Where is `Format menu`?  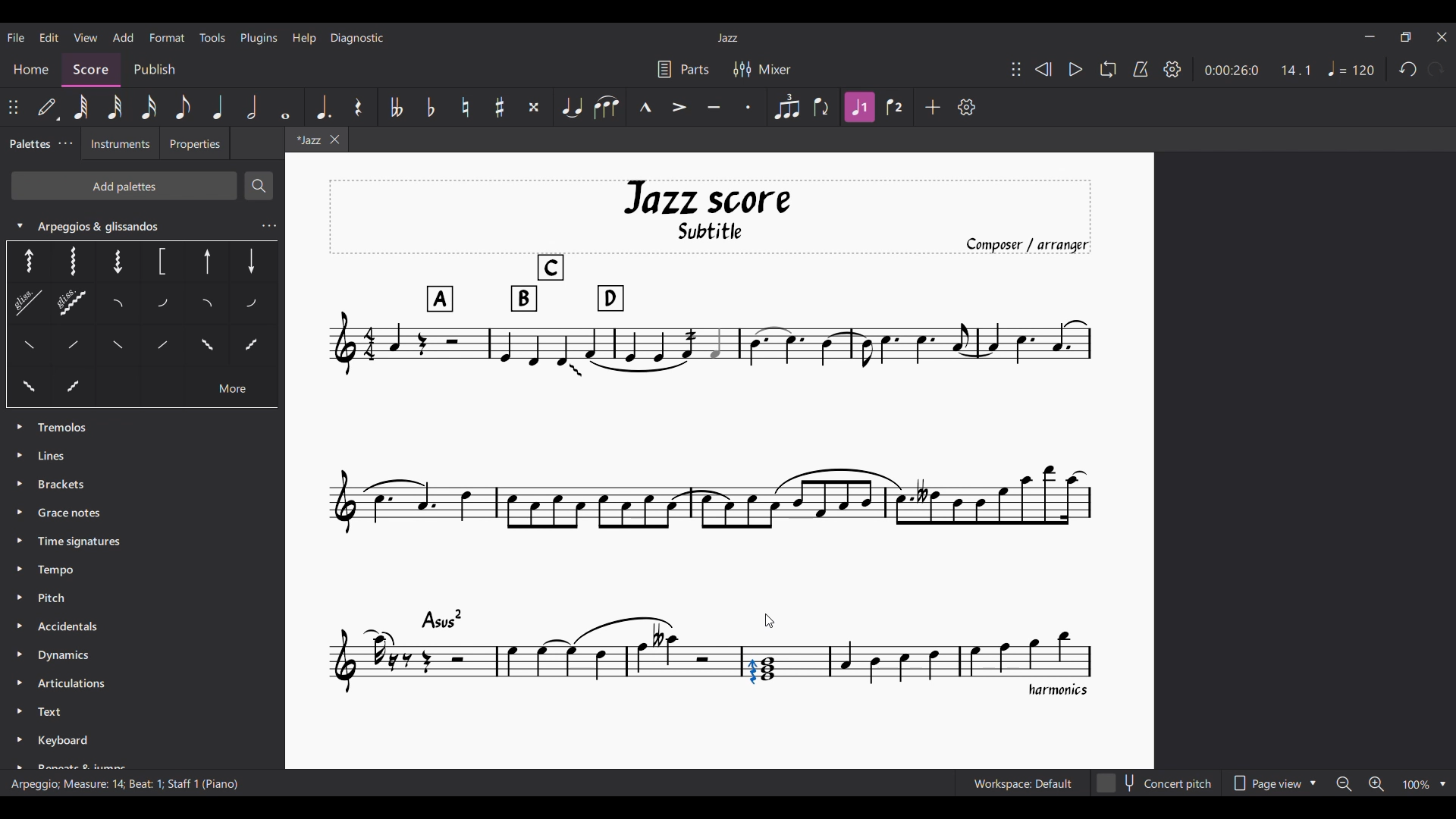 Format menu is located at coordinates (168, 37).